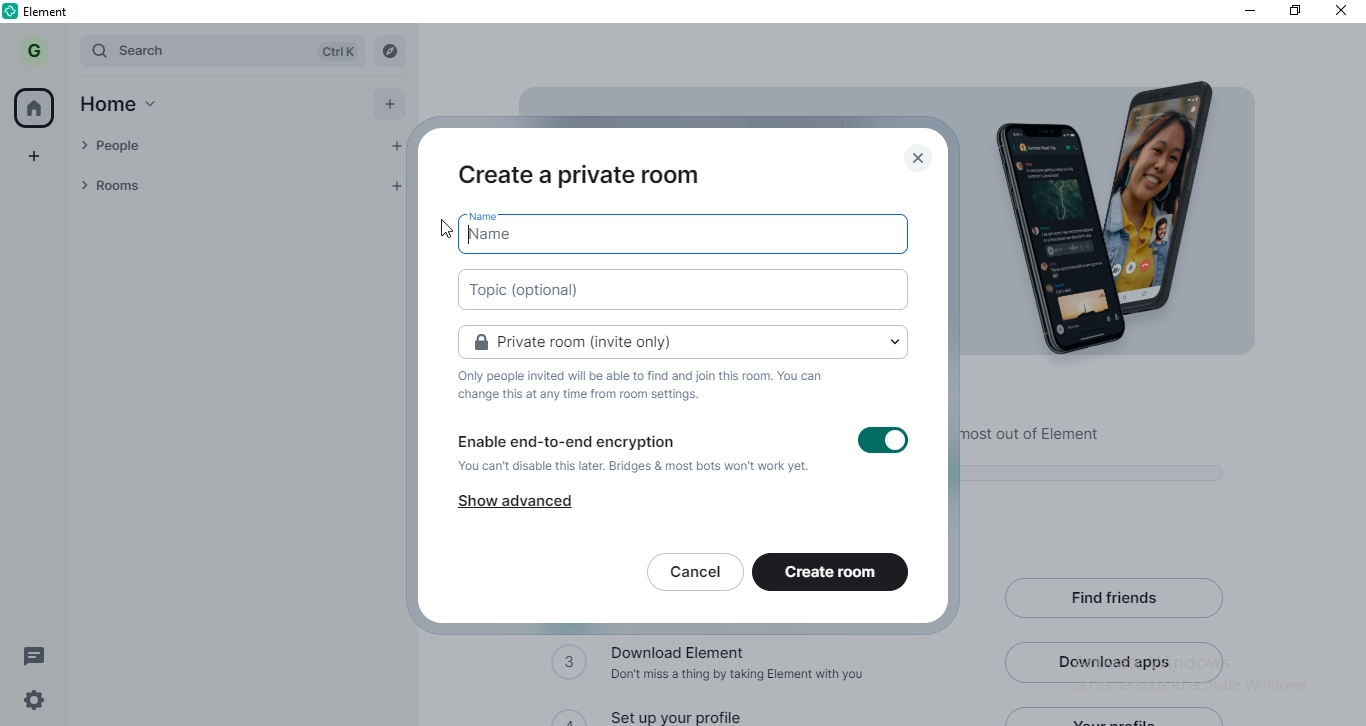  What do you see at coordinates (508, 504) in the screenshot?
I see `show advanced` at bounding box center [508, 504].